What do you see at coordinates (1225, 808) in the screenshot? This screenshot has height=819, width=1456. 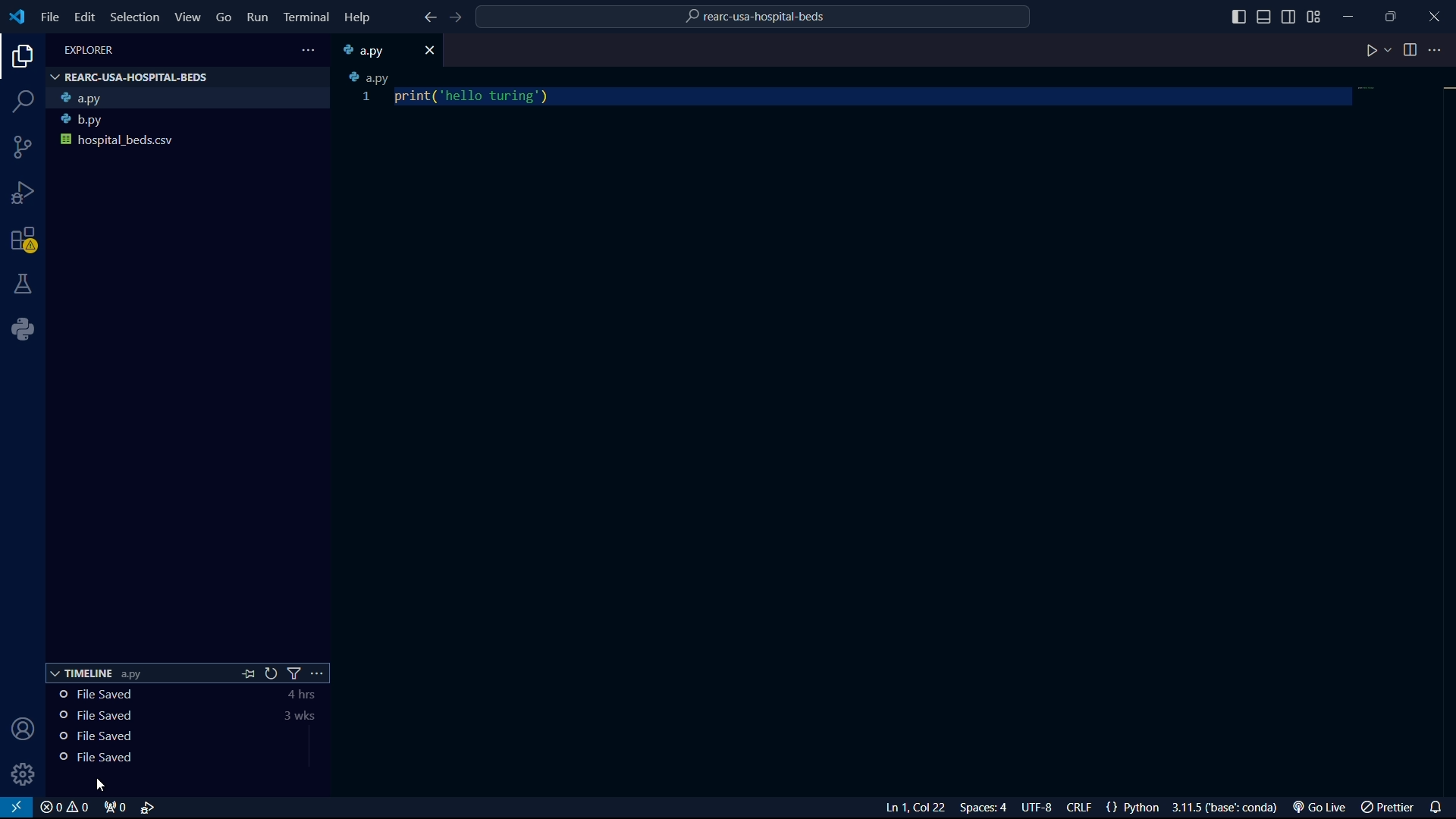 I see `interpreter` at bounding box center [1225, 808].